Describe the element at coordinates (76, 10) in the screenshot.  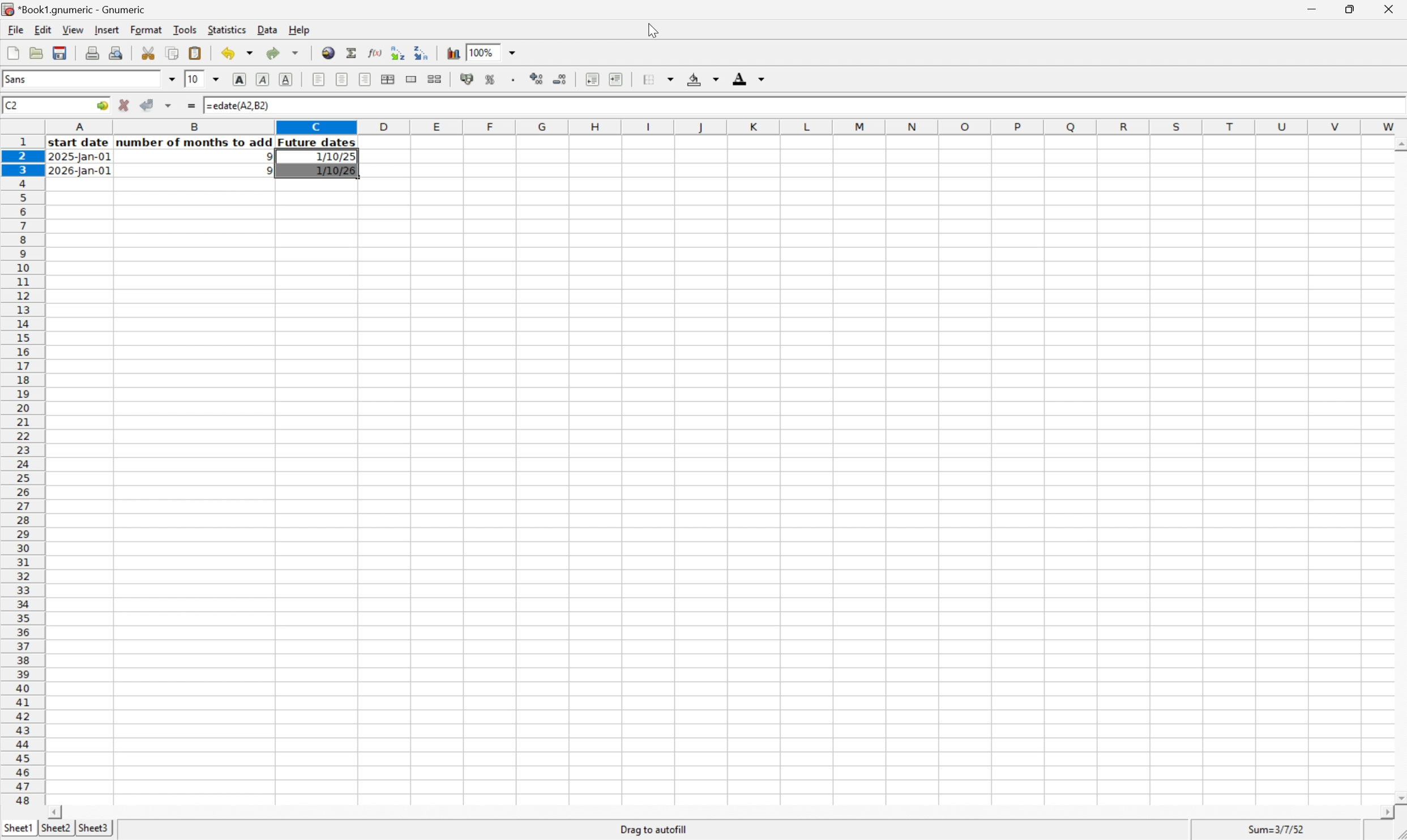
I see `*Book1.gnumeric - Gnumeric` at that location.